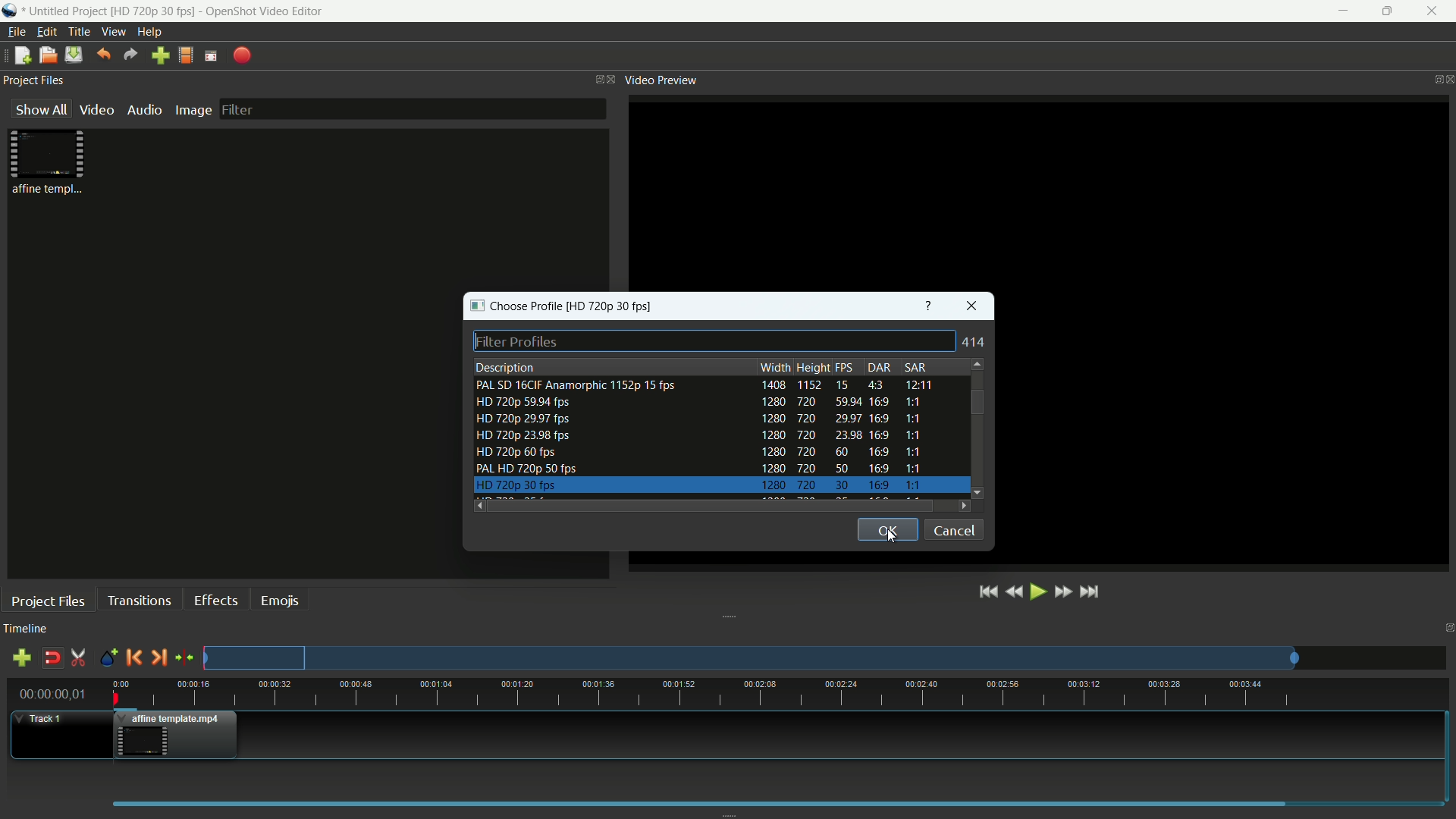 The image size is (1456, 819). What do you see at coordinates (781, 692) in the screenshot?
I see `time` at bounding box center [781, 692].